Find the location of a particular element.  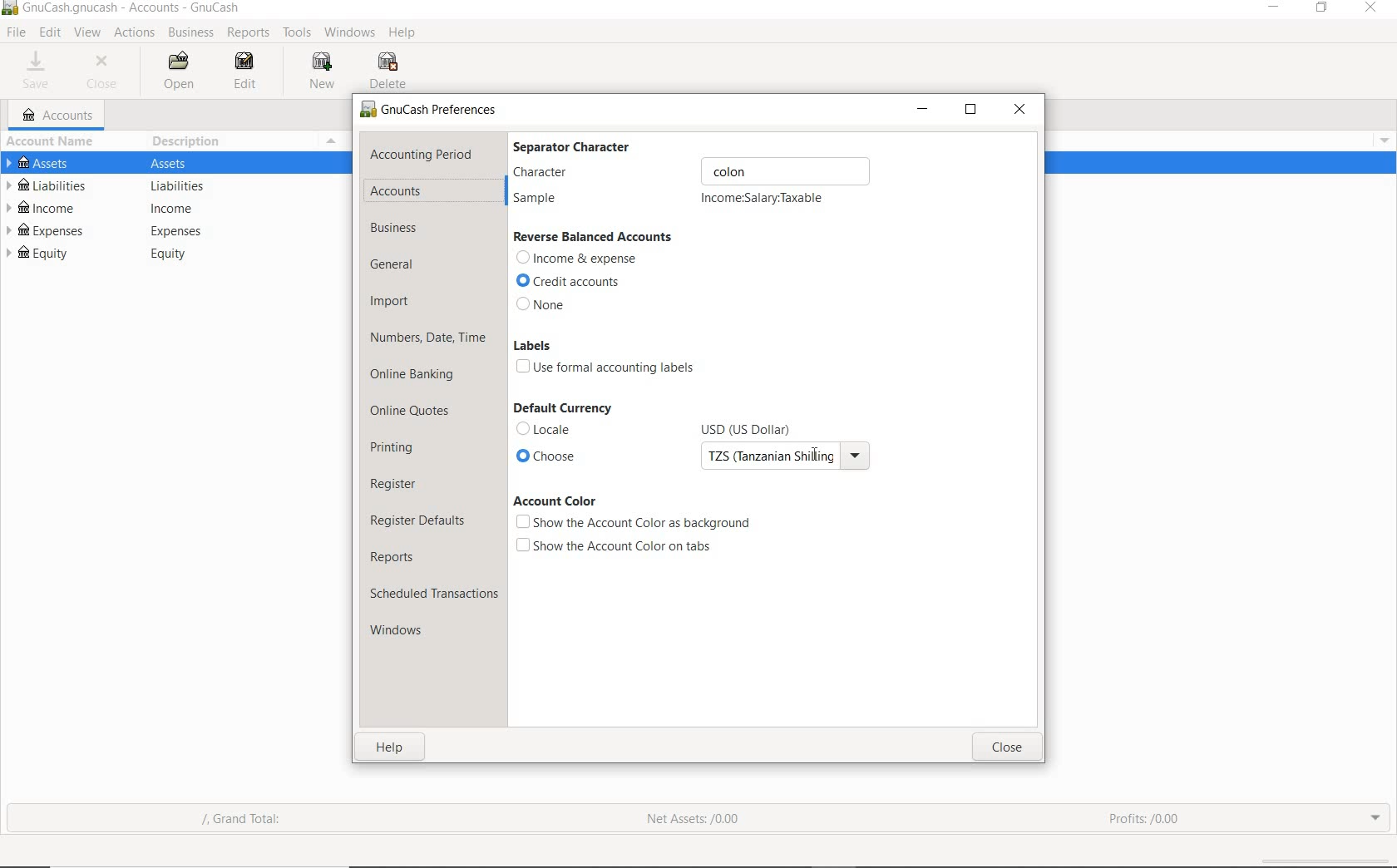

 is located at coordinates (8, 9).